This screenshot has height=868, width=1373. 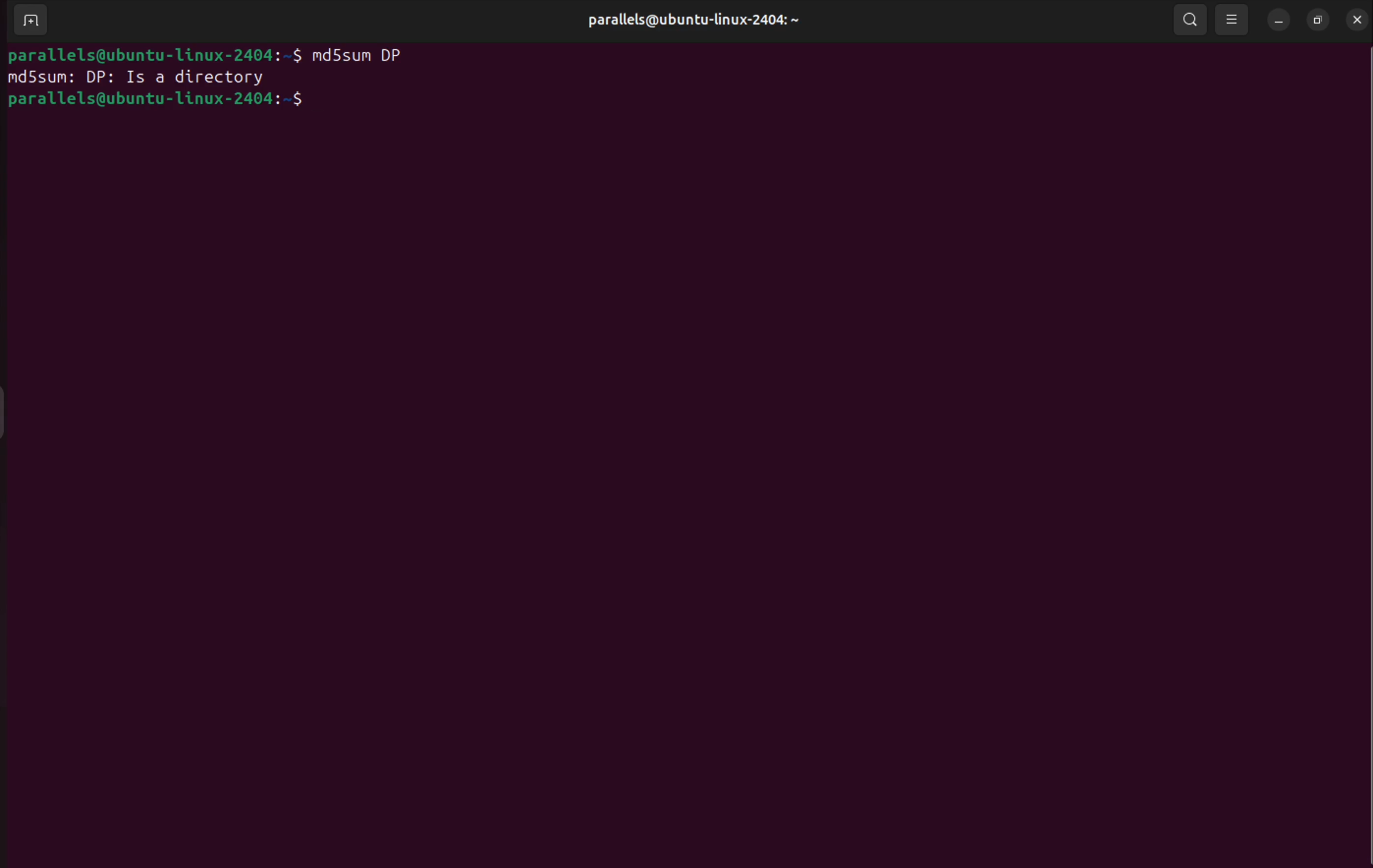 What do you see at coordinates (152, 54) in the screenshot?
I see `bash prompt` at bounding box center [152, 54].